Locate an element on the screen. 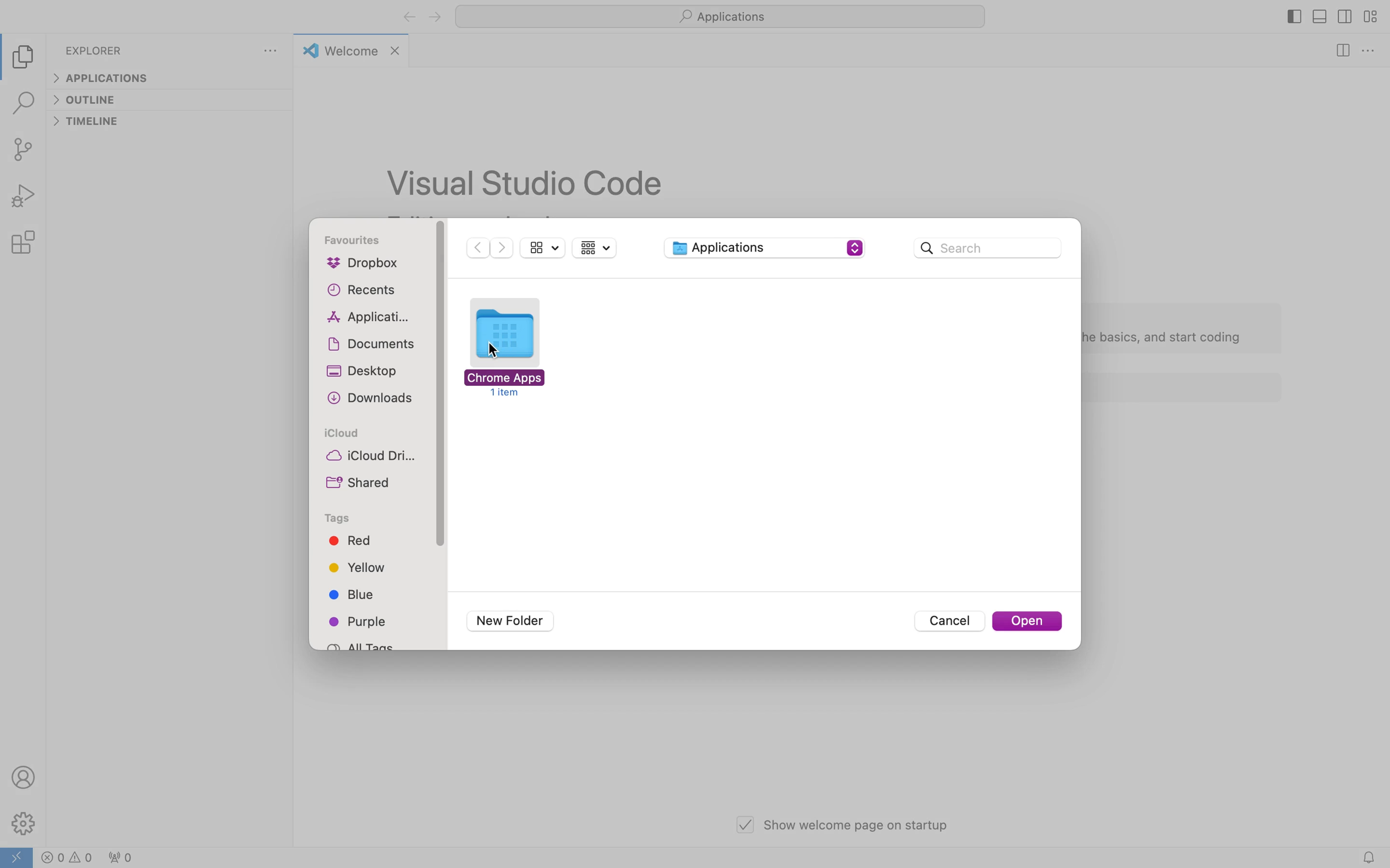 The height and width of the screenshot is (868, 1390). vertical scroll bar is located at coordinates (441, 386).